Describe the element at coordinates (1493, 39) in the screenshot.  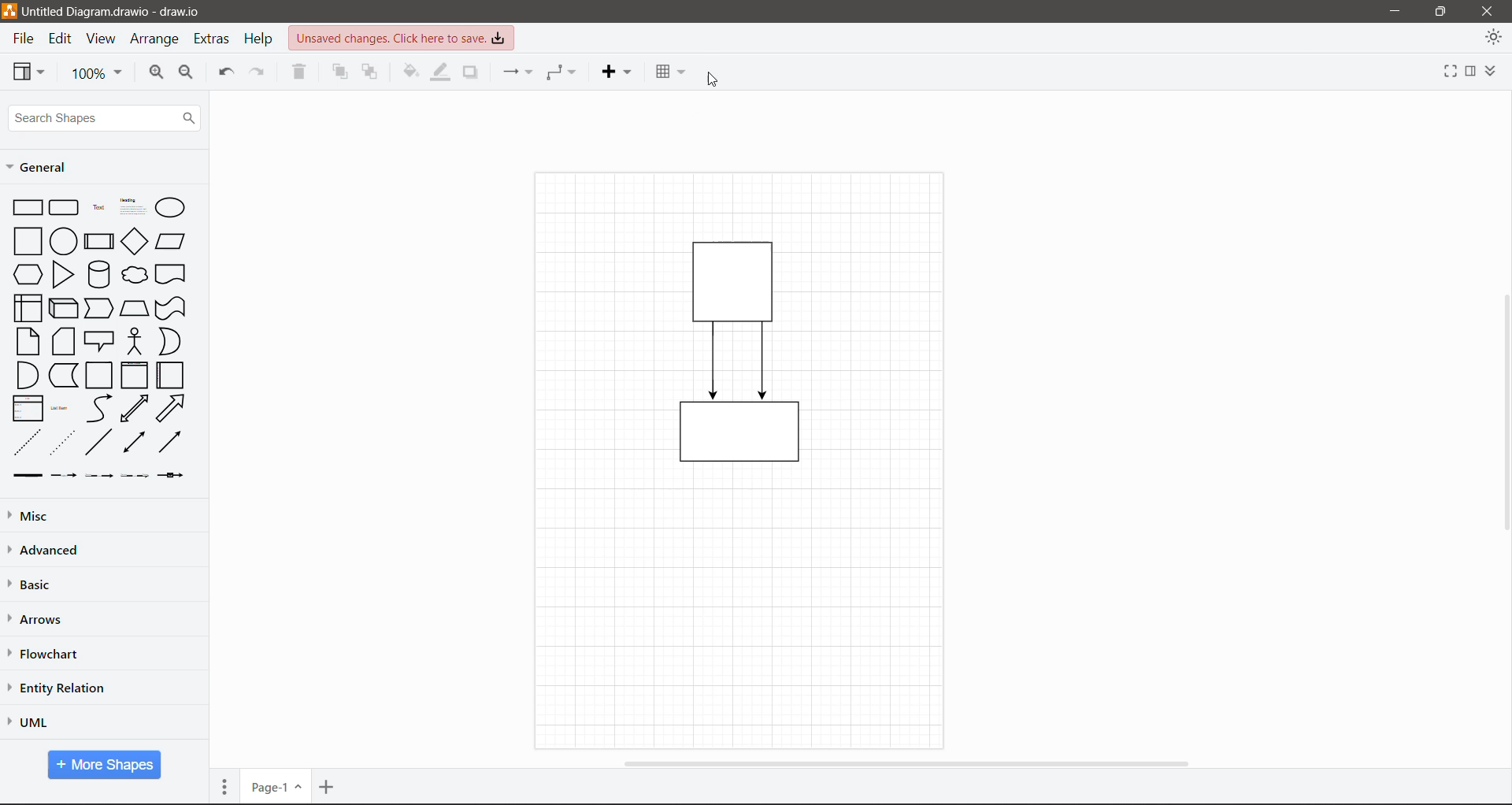
I see `Appearance` at that location.